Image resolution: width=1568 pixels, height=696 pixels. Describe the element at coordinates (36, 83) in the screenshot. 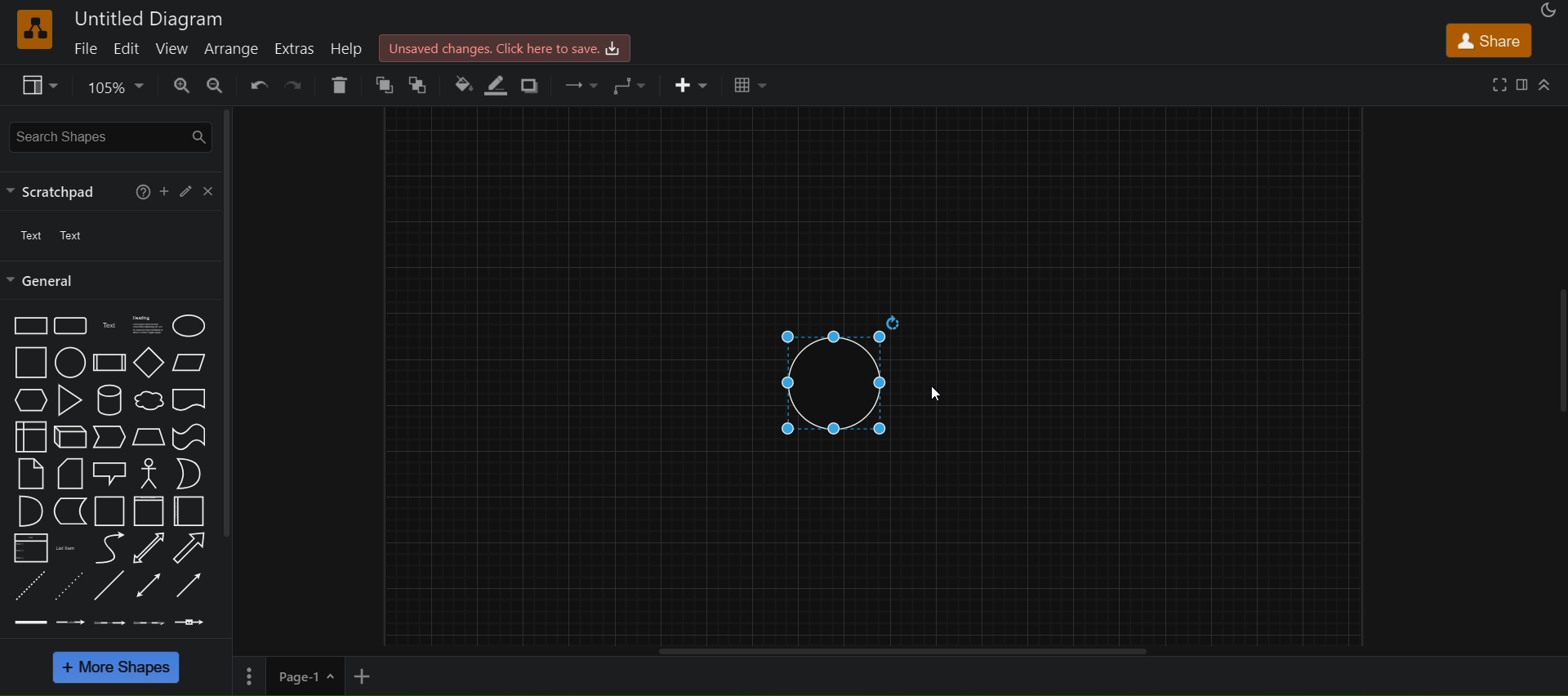

I see `view` at that location.